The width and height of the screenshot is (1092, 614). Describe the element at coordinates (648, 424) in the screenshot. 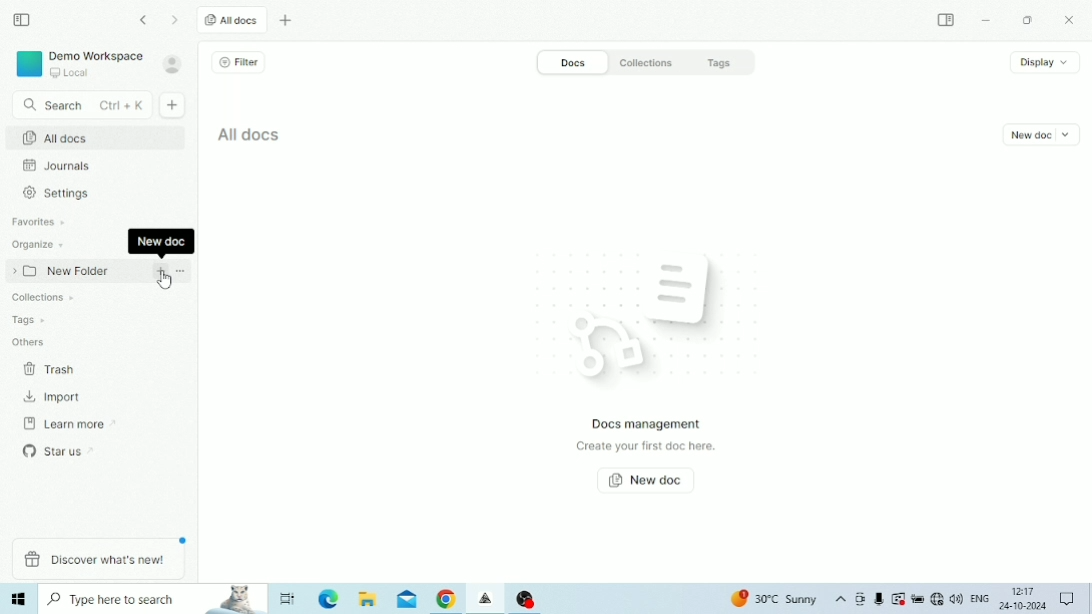

I see `Docs management` at that location.